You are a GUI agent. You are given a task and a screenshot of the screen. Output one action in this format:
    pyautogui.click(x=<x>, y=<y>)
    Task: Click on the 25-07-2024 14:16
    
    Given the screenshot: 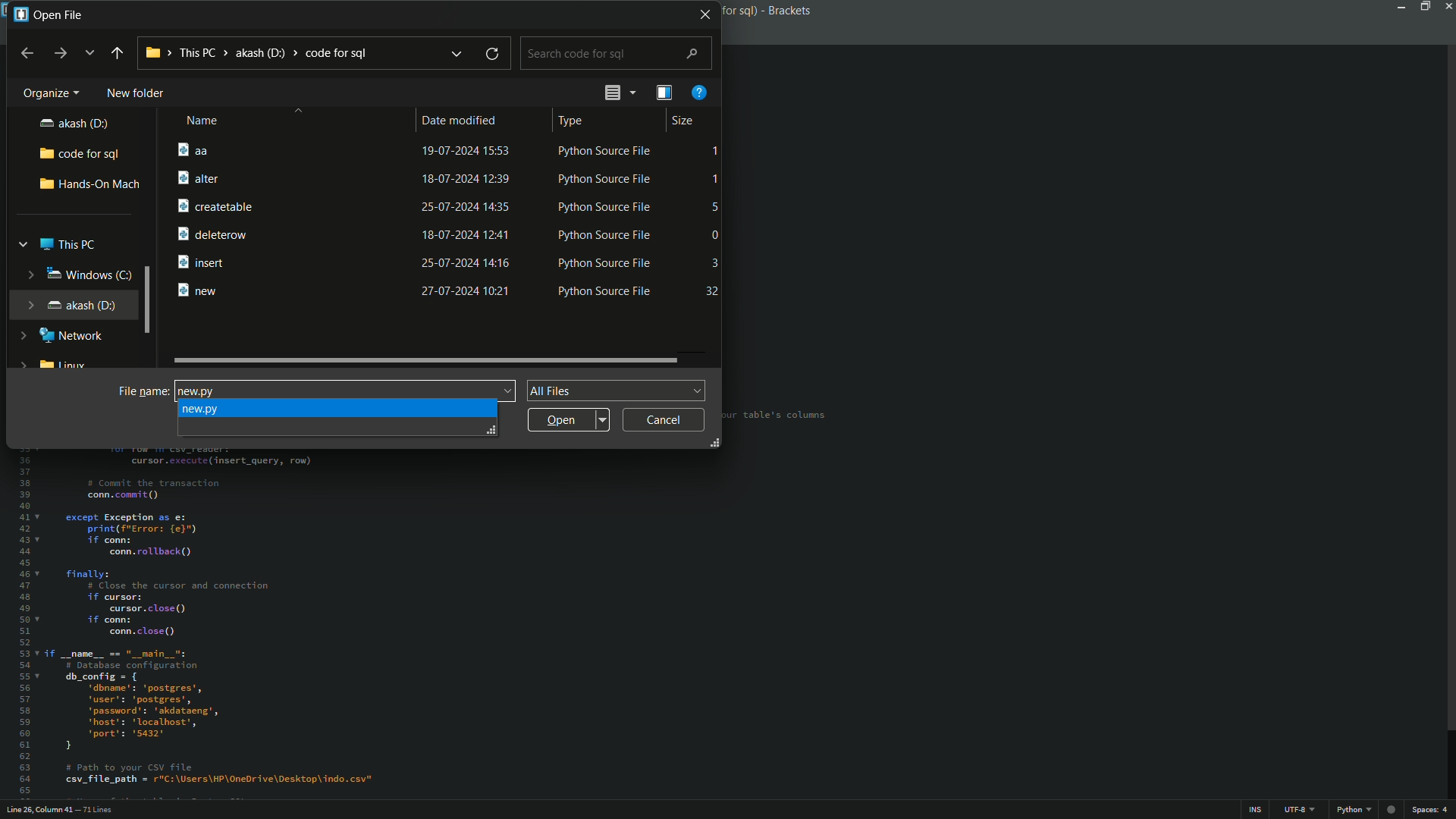 What is the action you would take?
    pyautogui.click(x=464, y=261)
    